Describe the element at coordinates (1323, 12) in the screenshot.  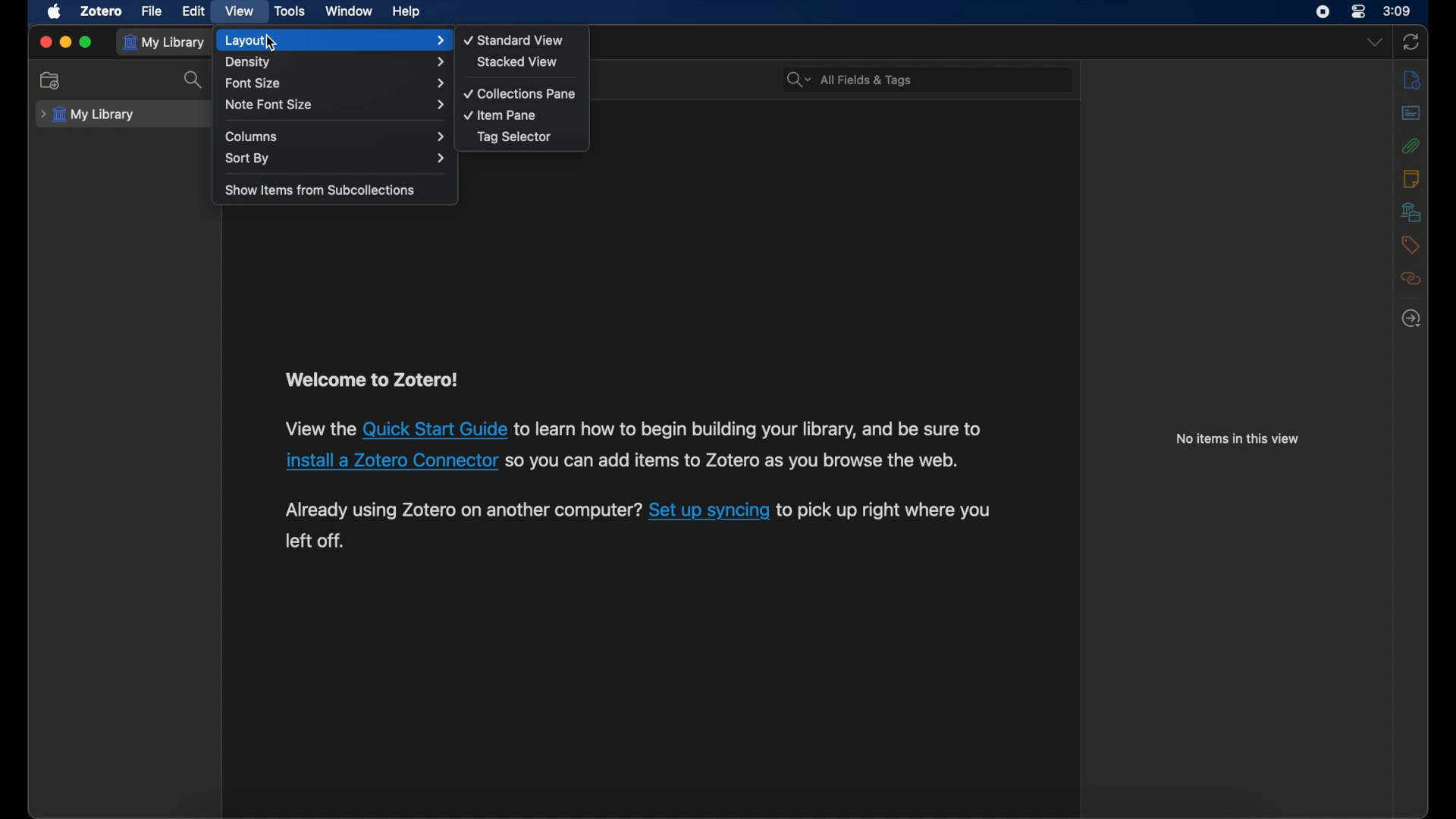
I see `screen recorder icon` at that location.